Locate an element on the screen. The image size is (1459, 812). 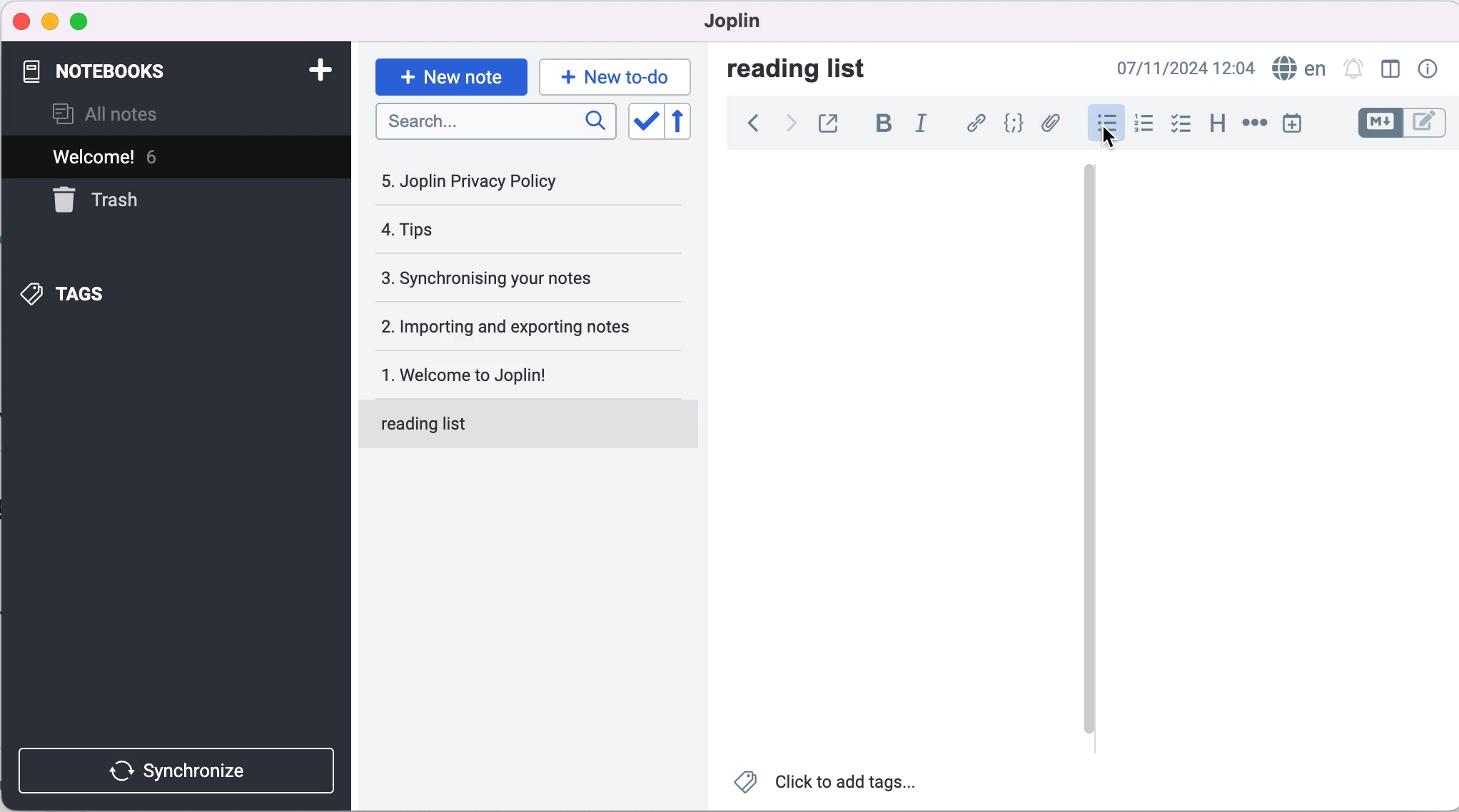
reading list  is located at coordinates (532, 422).